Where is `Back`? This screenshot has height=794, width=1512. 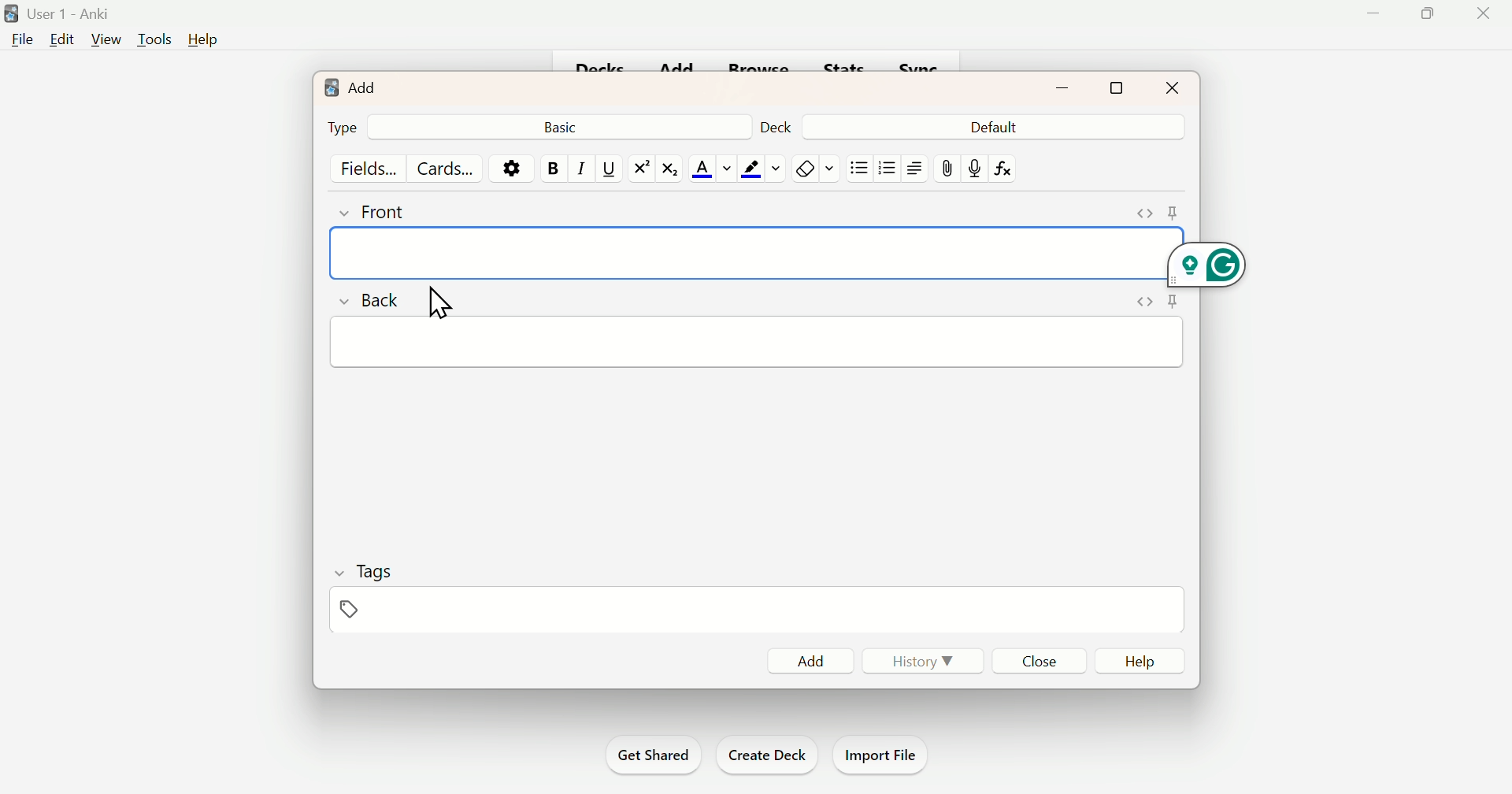
Back is located at coordinates (376, 304).